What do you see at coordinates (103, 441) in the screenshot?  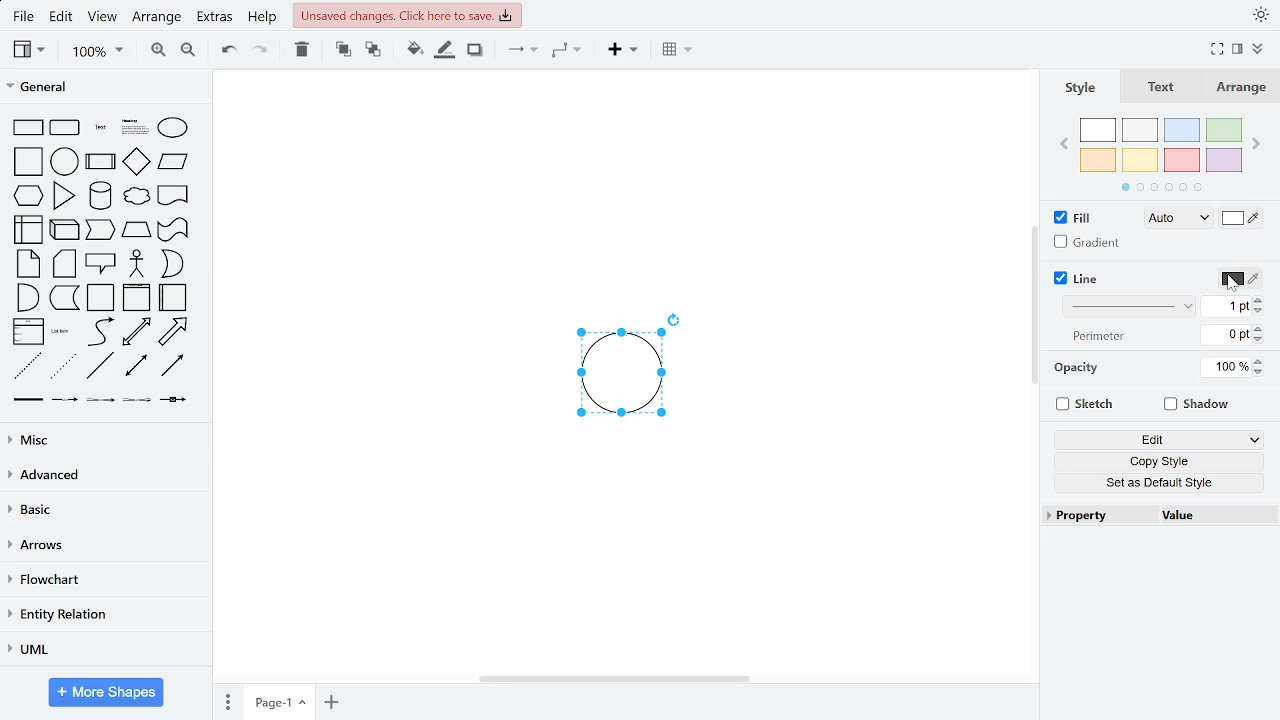 I see `misc` at bounding box center [103, 441].